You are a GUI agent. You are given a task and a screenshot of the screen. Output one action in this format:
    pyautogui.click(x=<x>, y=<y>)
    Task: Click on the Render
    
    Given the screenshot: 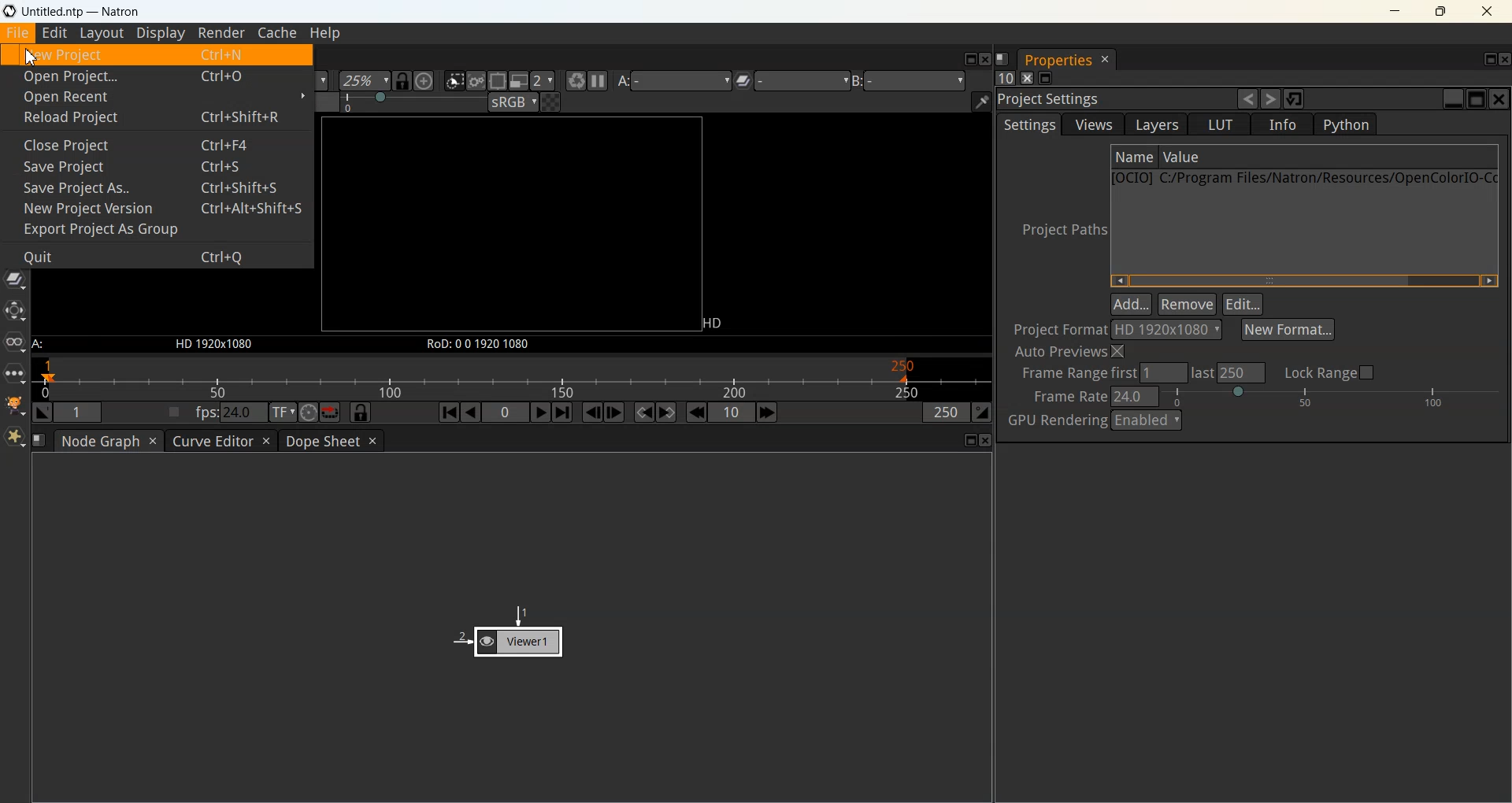 What is the action you would take?
    pyautogui.click(x=220, y=34)
    